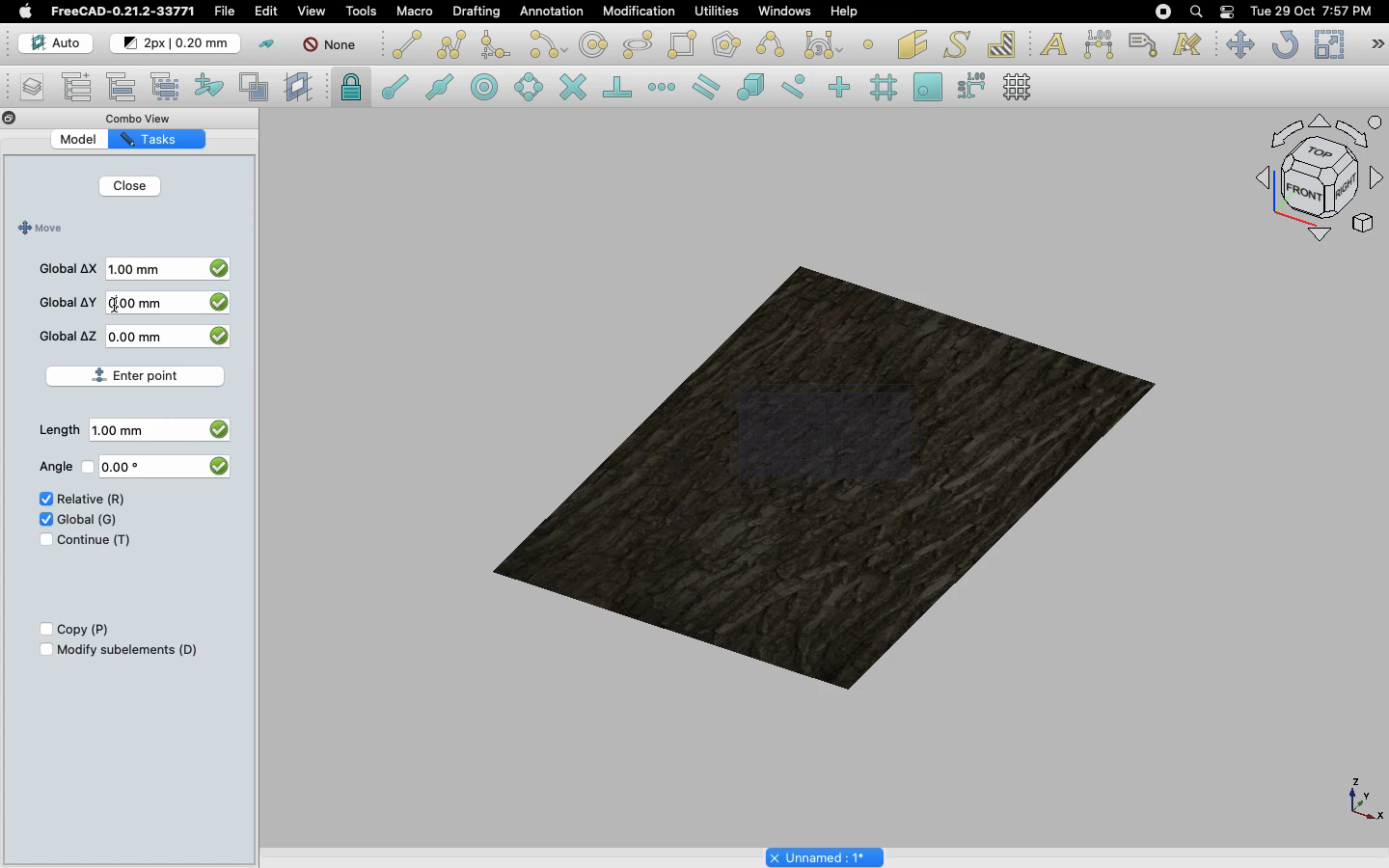  Describe the element at coordinates (774, 44) in the screenshot. I see `B-spline` at that location.